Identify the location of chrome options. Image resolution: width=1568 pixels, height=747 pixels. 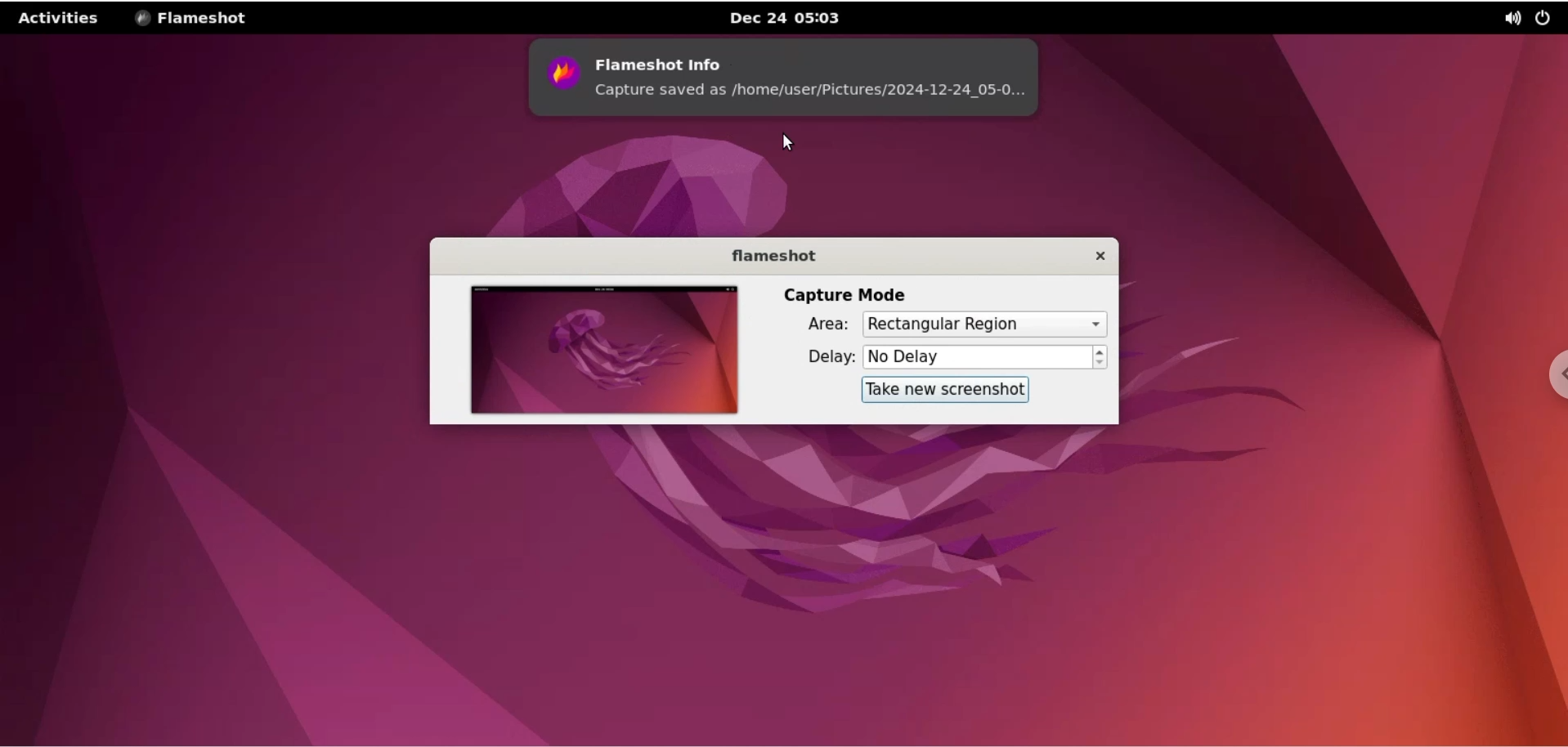
(1555, 373).